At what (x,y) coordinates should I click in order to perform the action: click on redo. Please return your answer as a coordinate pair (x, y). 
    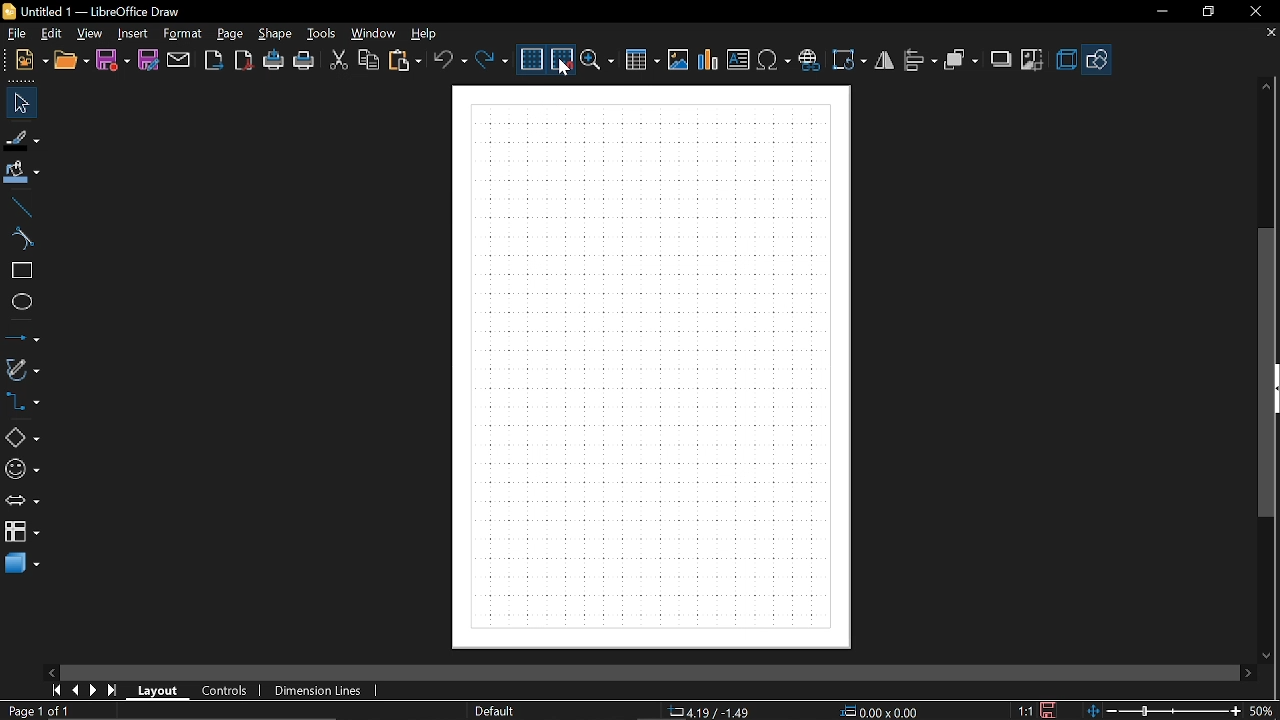
    Looking at the image, I should click on (493, 60).